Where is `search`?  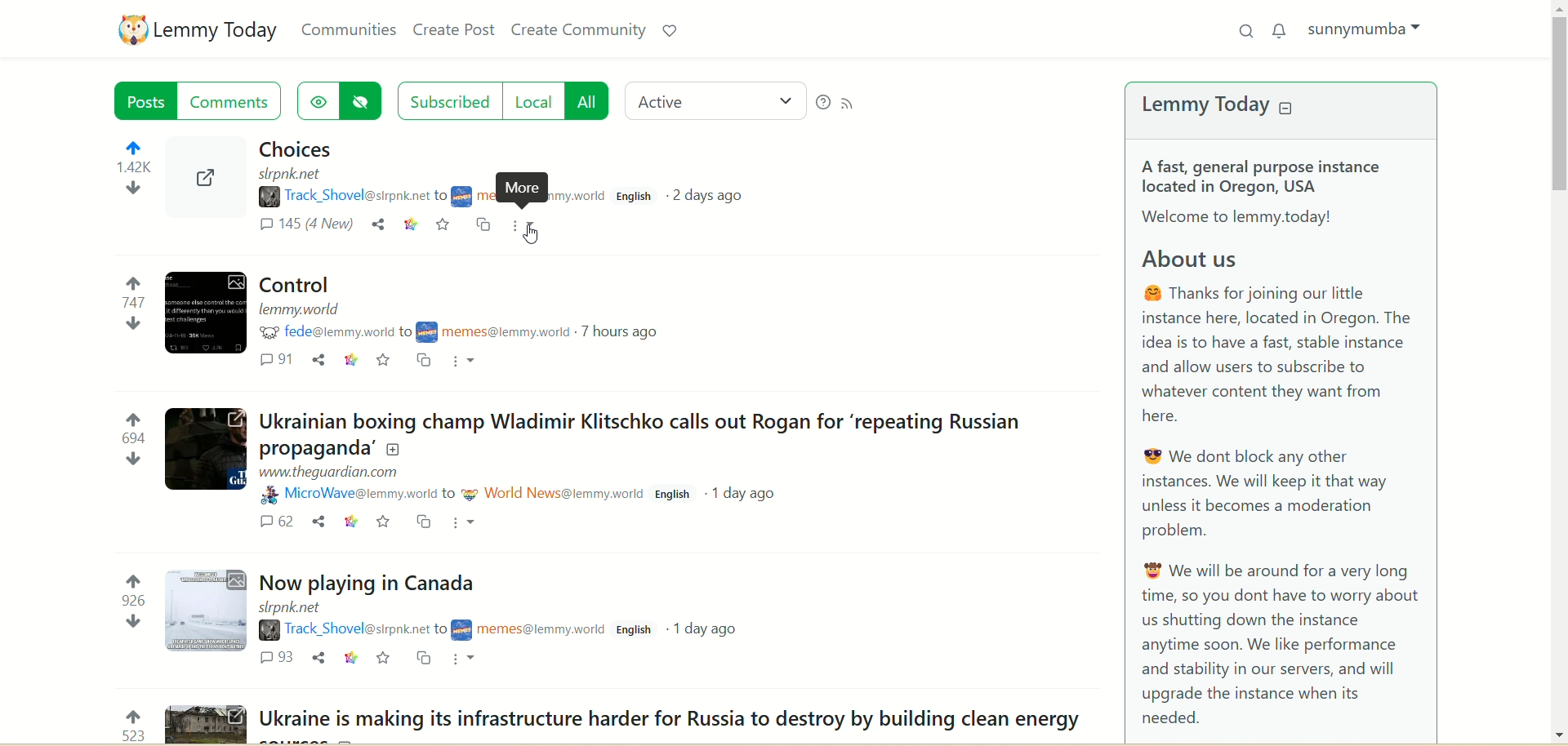
search is located at coordinates (1245, 32).